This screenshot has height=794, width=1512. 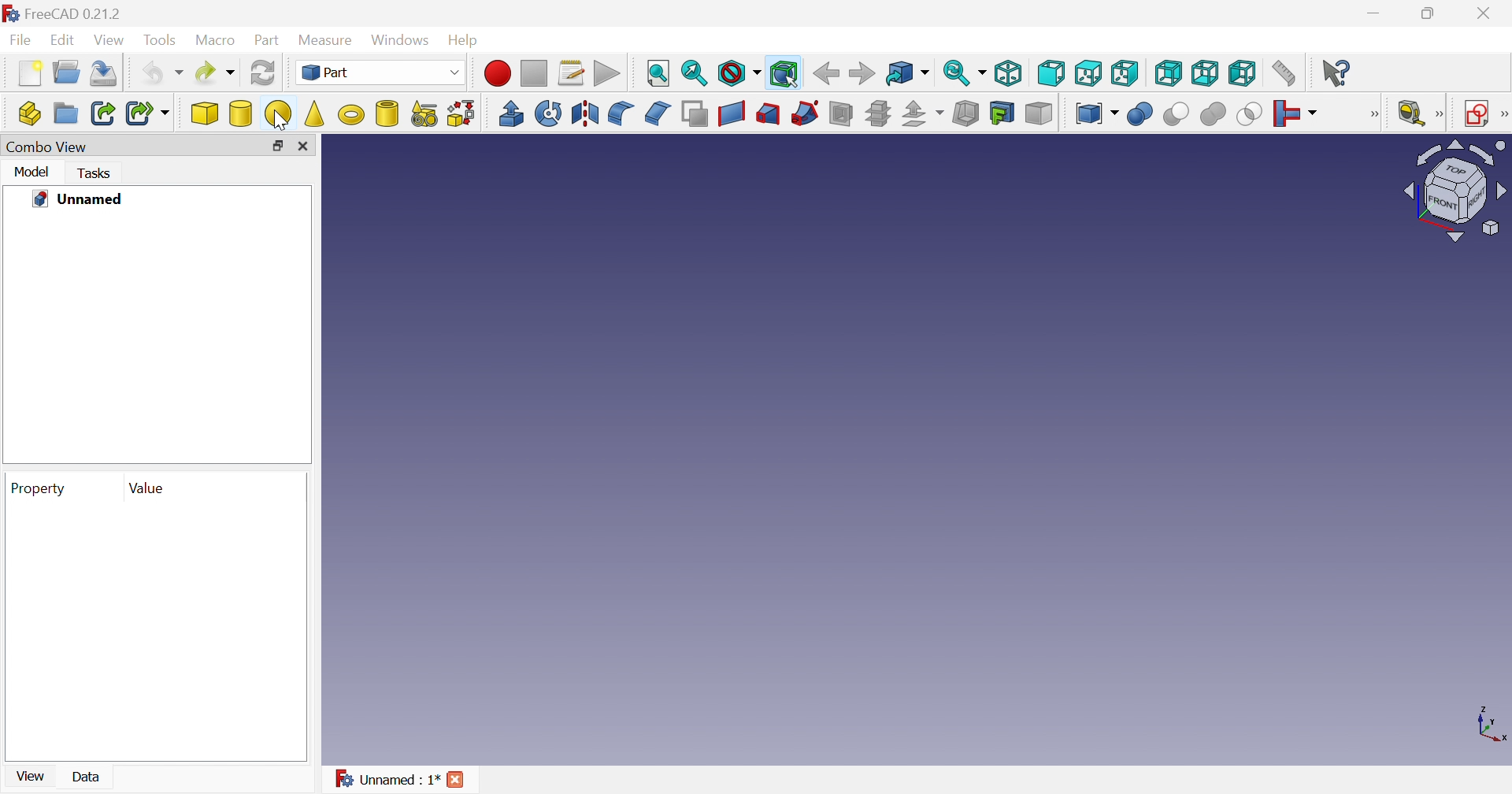 I want to click on Cross-sections, so click(x=877, y=113).